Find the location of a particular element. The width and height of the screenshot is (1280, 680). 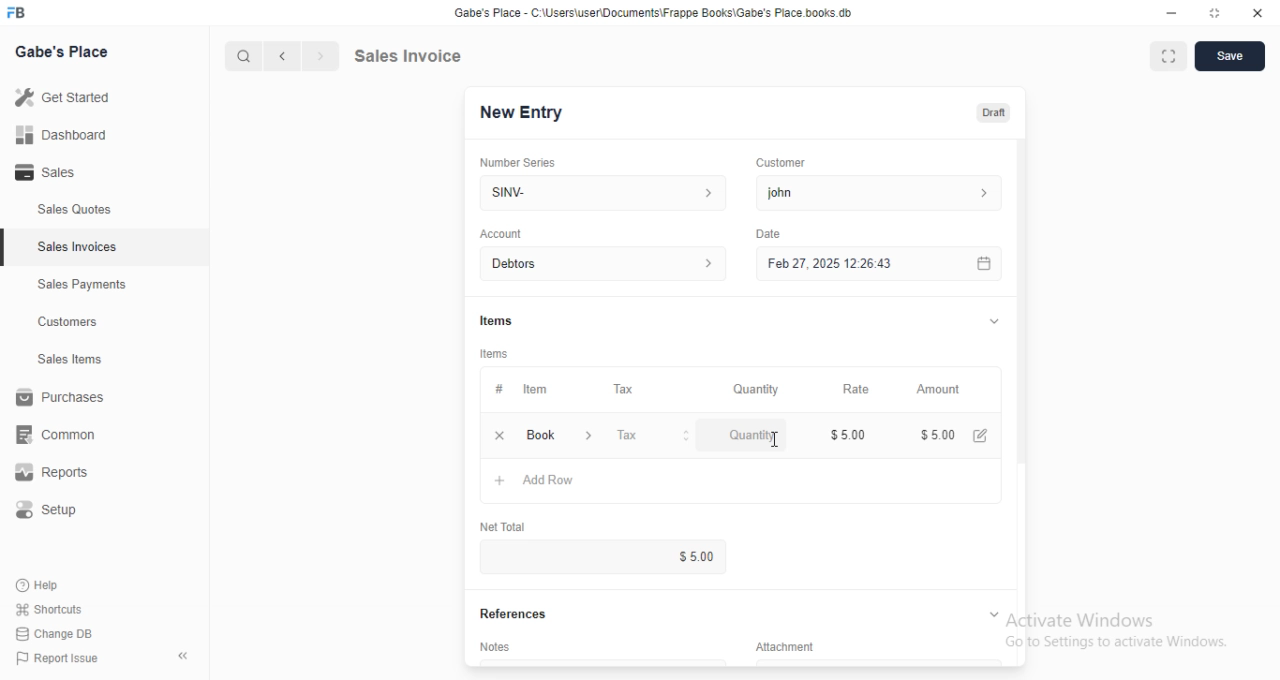

Quantity is located at coordinates (756, 388).